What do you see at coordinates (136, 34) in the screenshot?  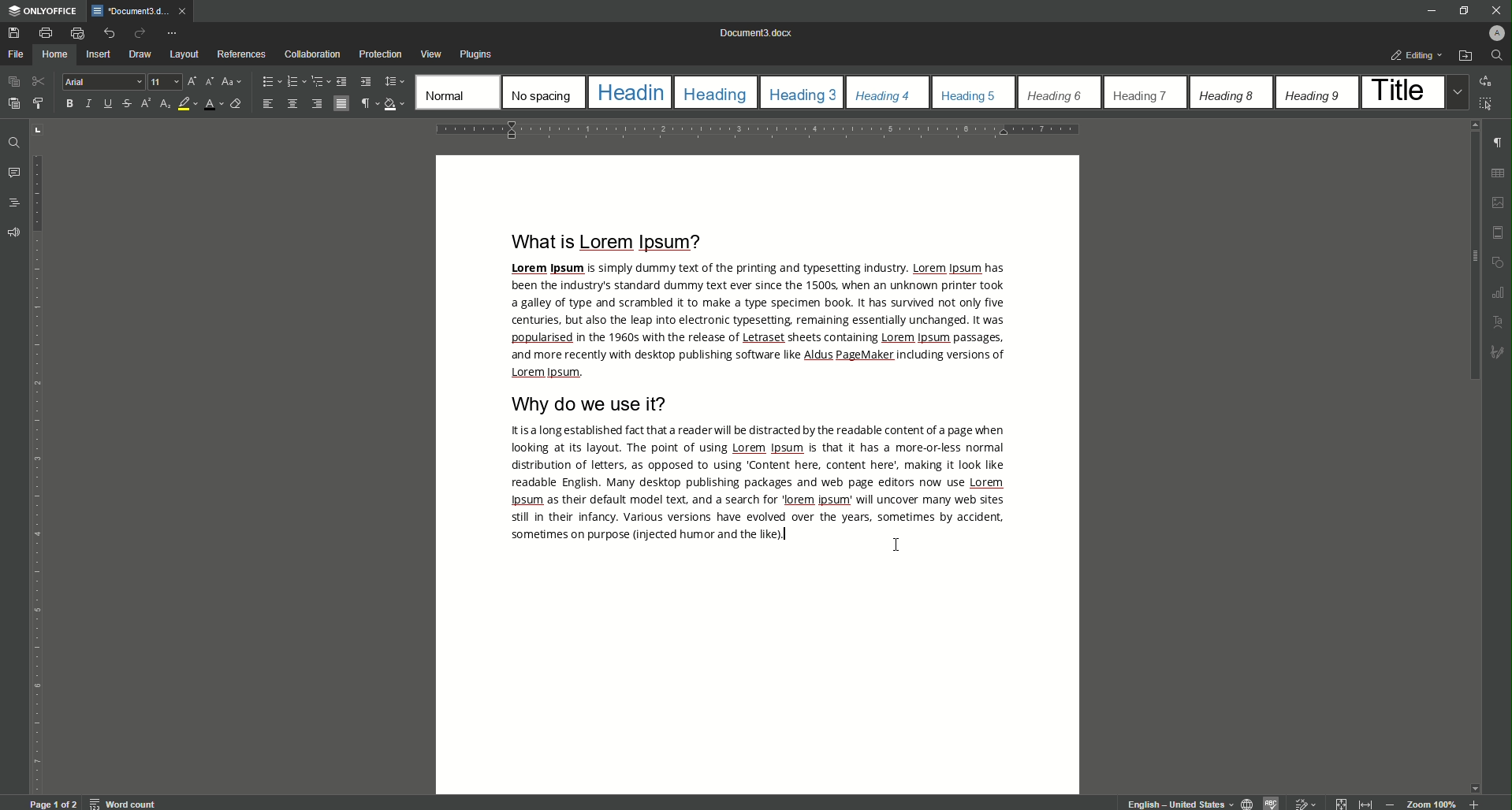 I see `Redo` at bounding box center [136, 34].